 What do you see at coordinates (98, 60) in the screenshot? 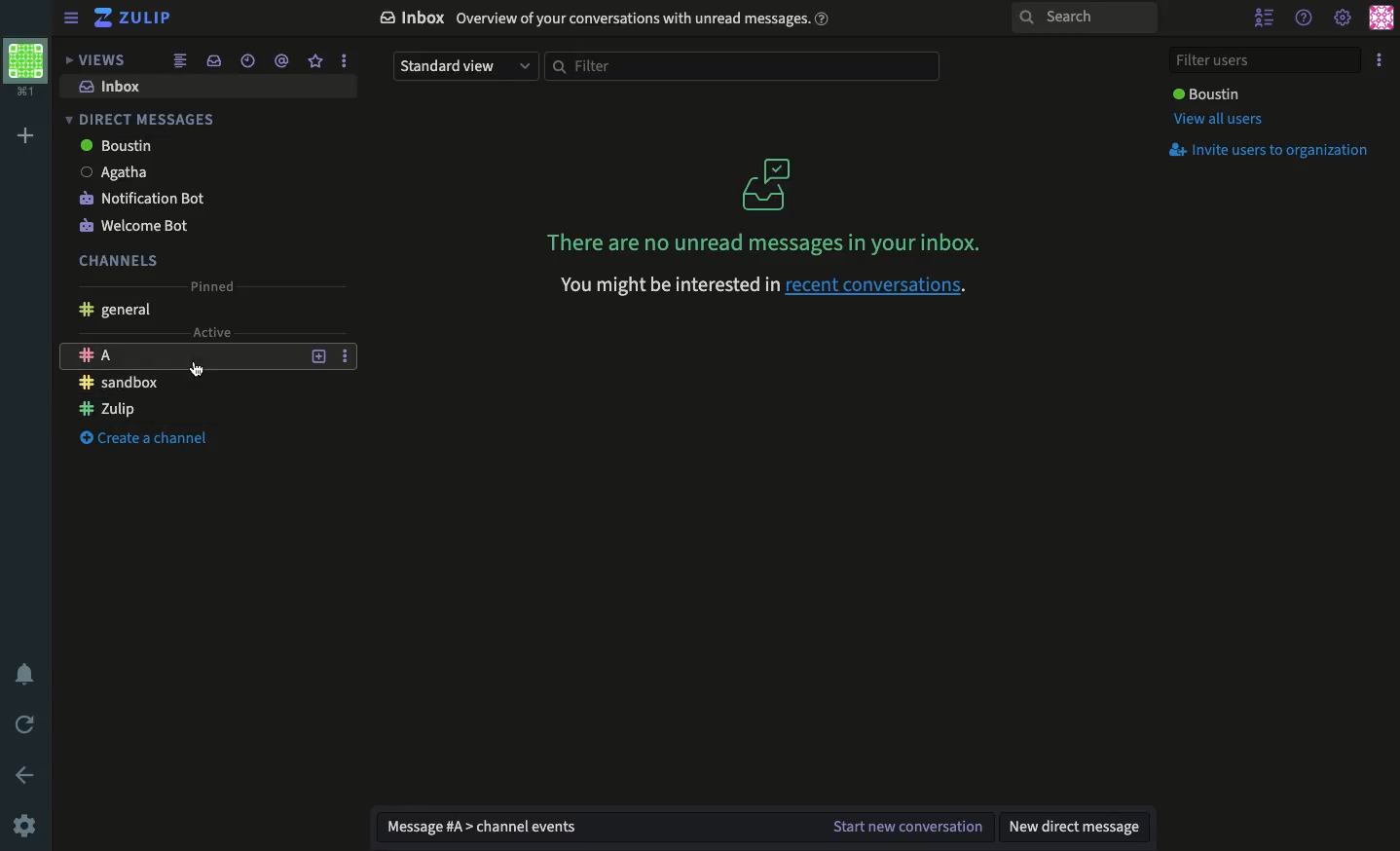
I see `Views` at bounding box center [98, 60].